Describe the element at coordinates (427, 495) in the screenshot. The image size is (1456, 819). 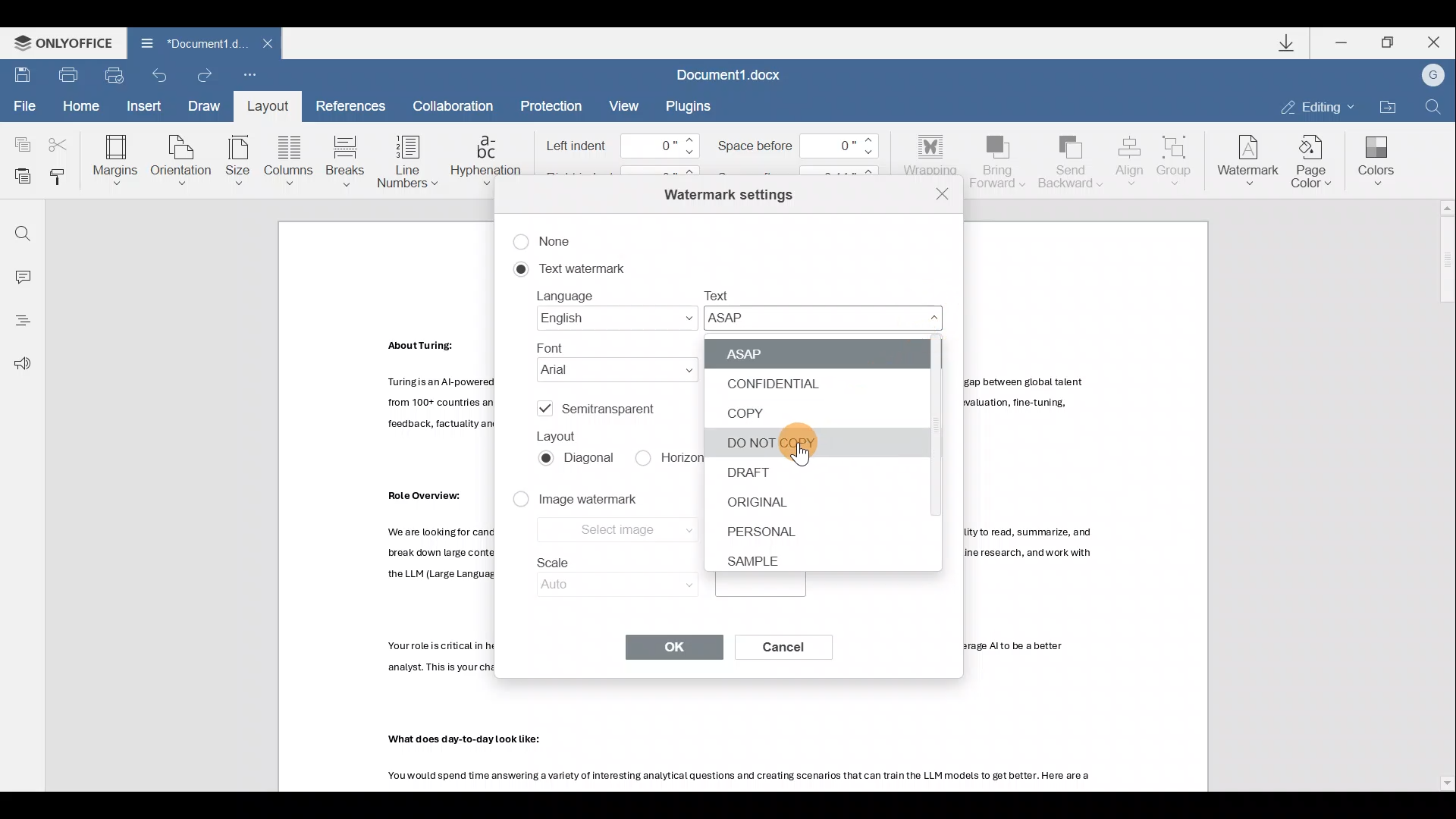
I see `` at that location.